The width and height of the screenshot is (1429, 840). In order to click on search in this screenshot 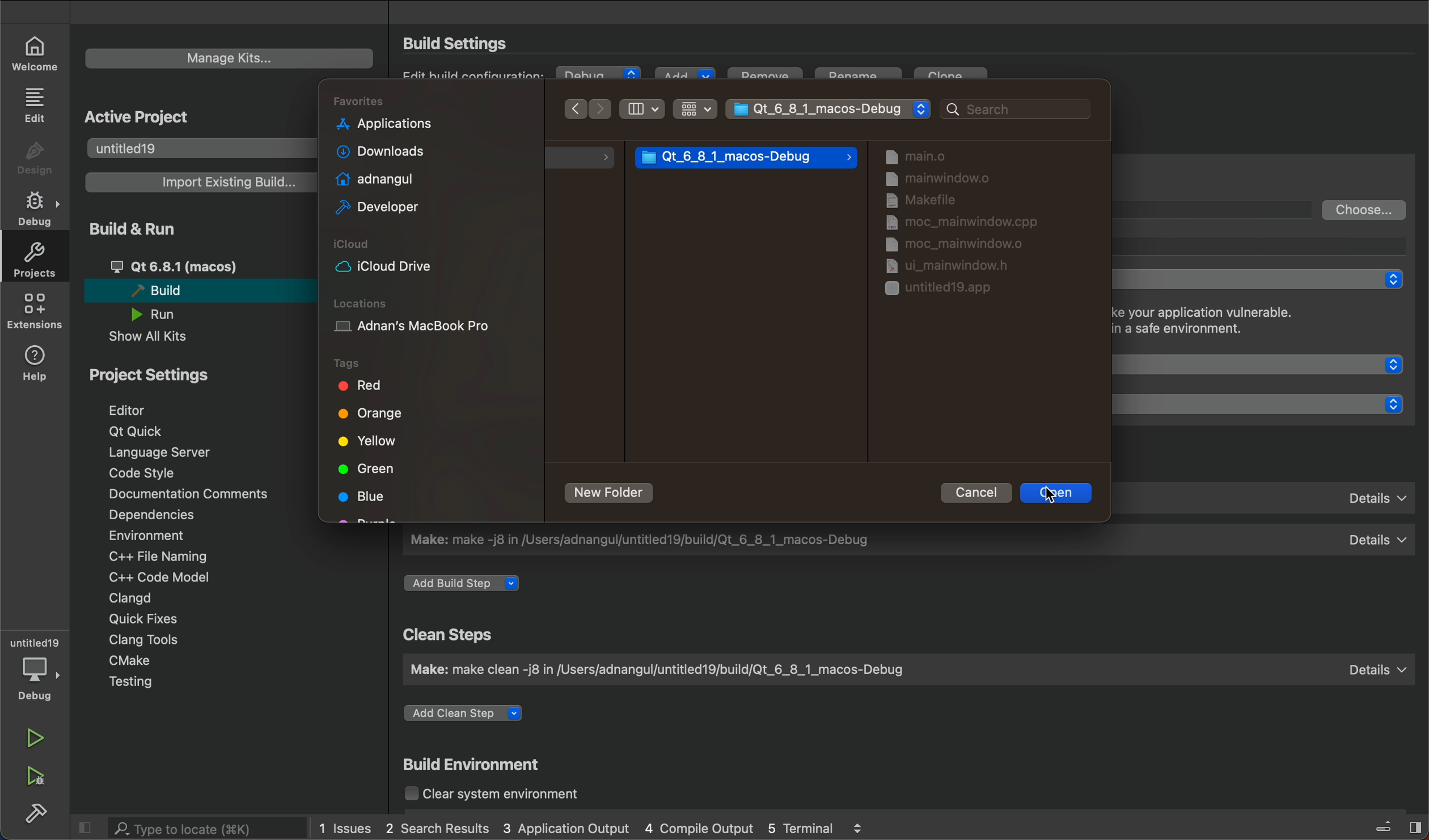, I will do `click(1008, 108)`.